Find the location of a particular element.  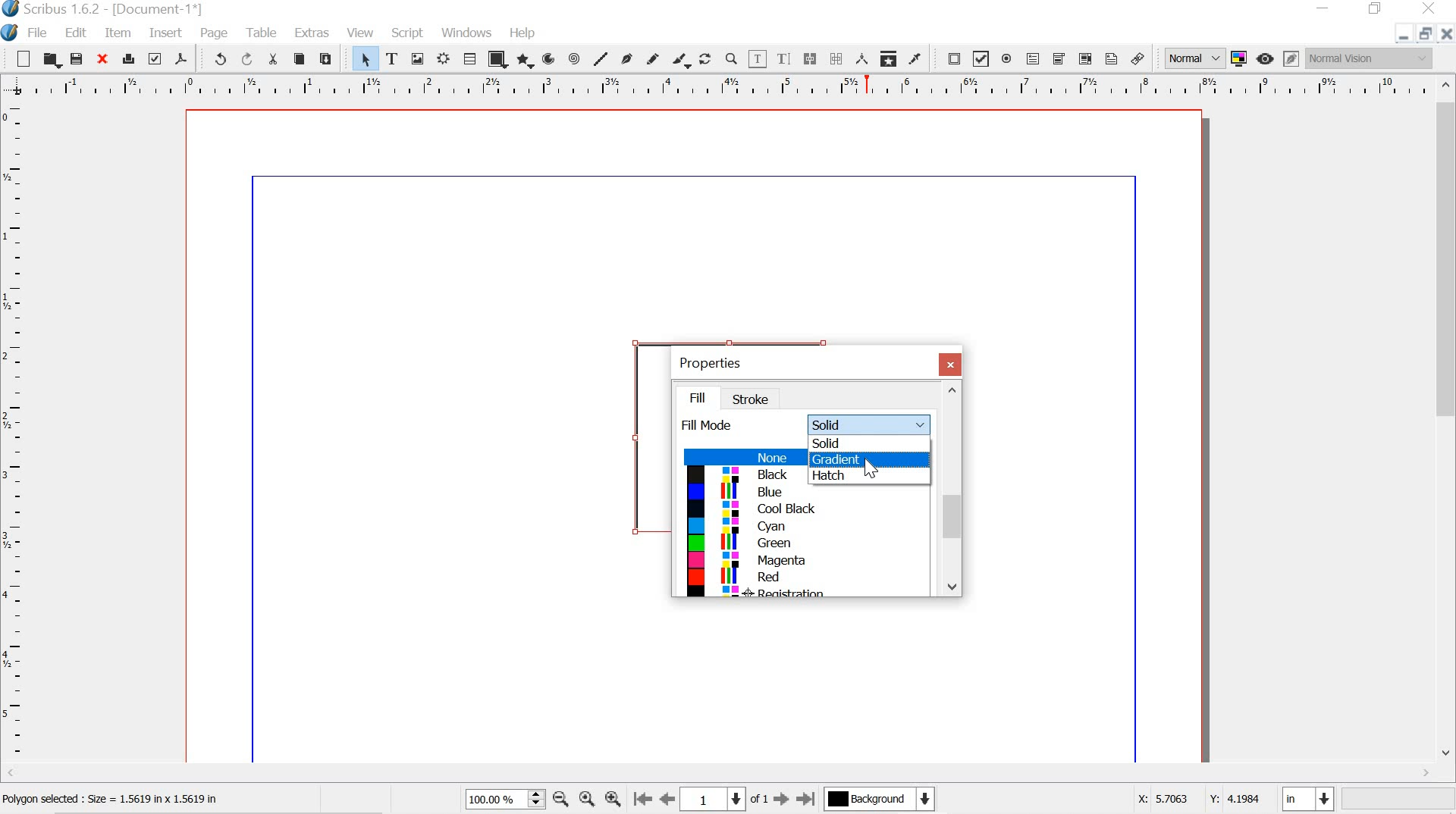

windows is located at coordinates (468, 33).